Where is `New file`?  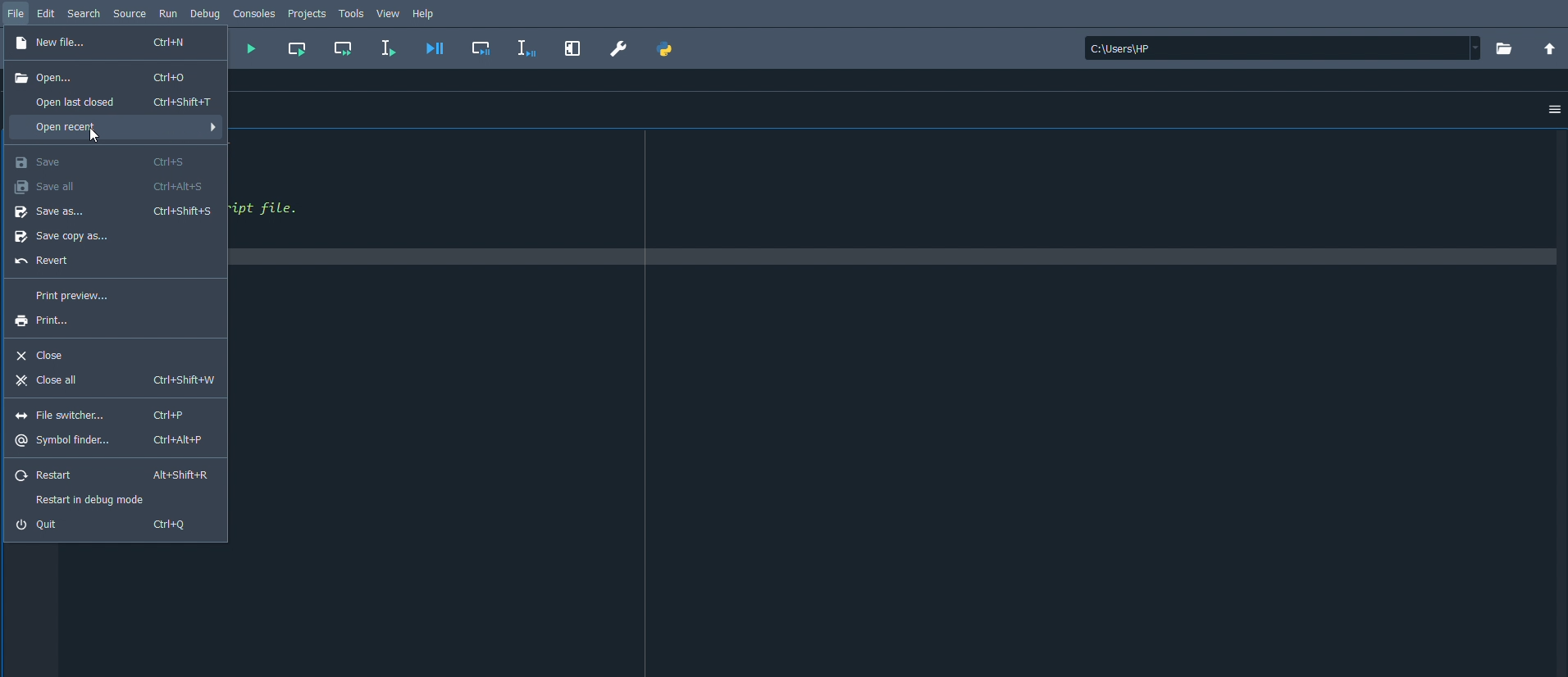 New file is located at coordinates (106, 44).